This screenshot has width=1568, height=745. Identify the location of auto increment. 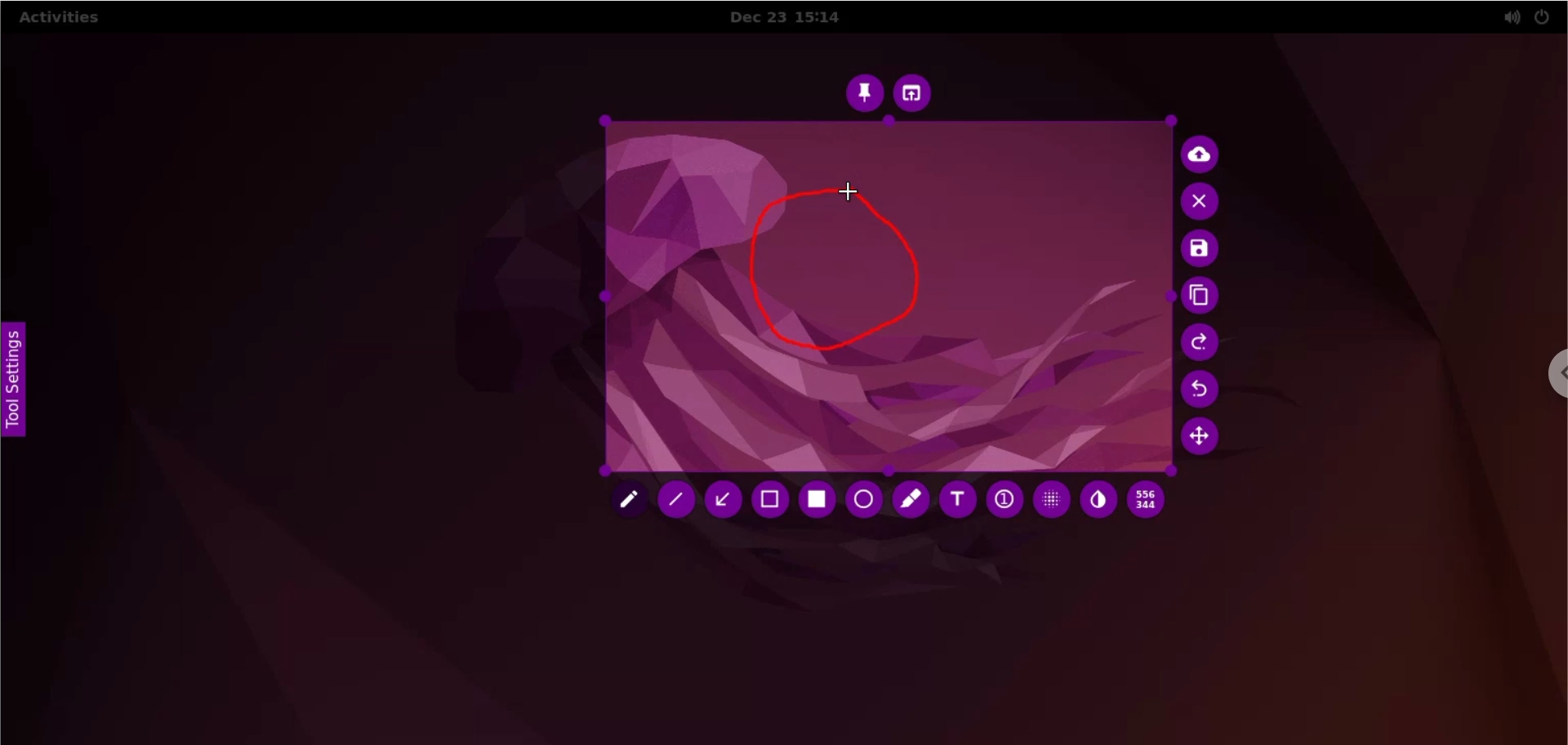
(1004, 499).